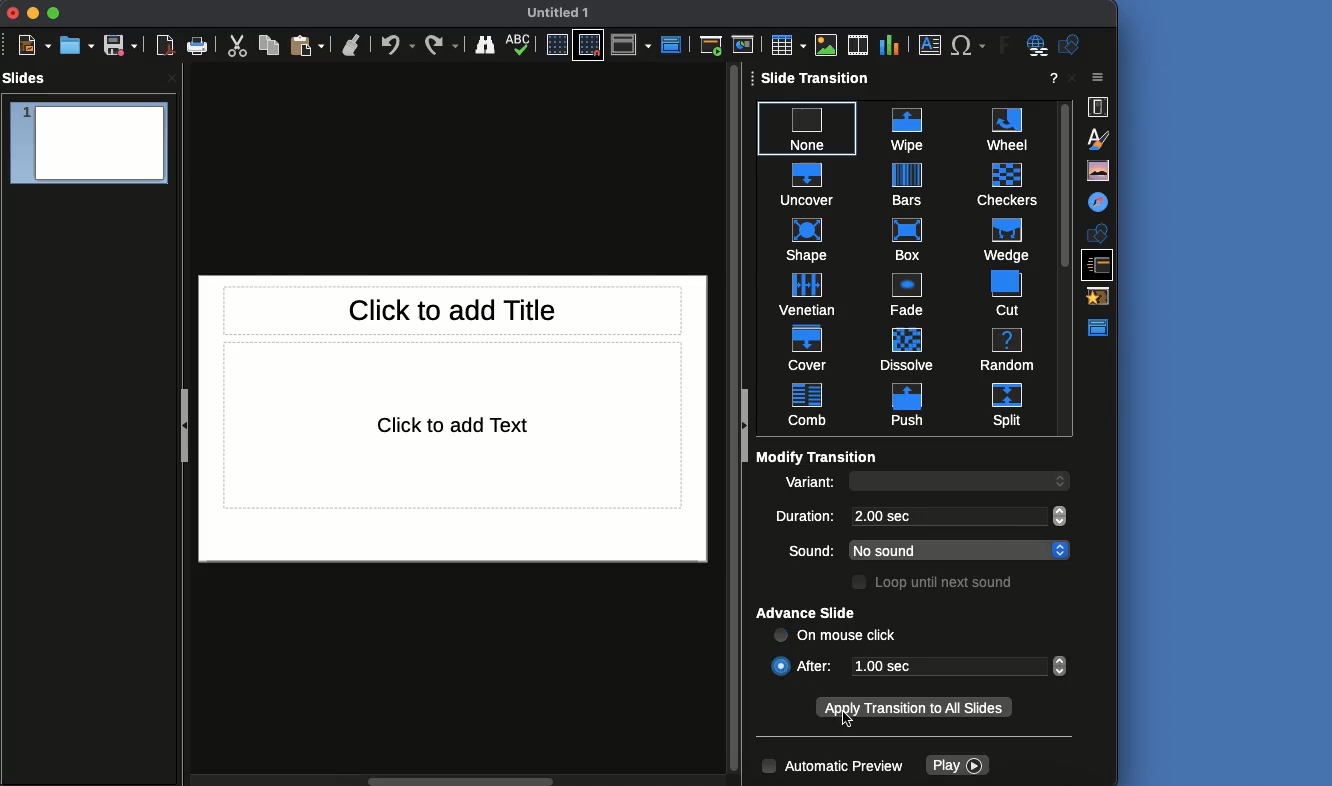 The height and width of the screenshot is (786, 1332). Describe the element at coordinates (968, 44) in the screenshot. I see `Special characters` at that location.